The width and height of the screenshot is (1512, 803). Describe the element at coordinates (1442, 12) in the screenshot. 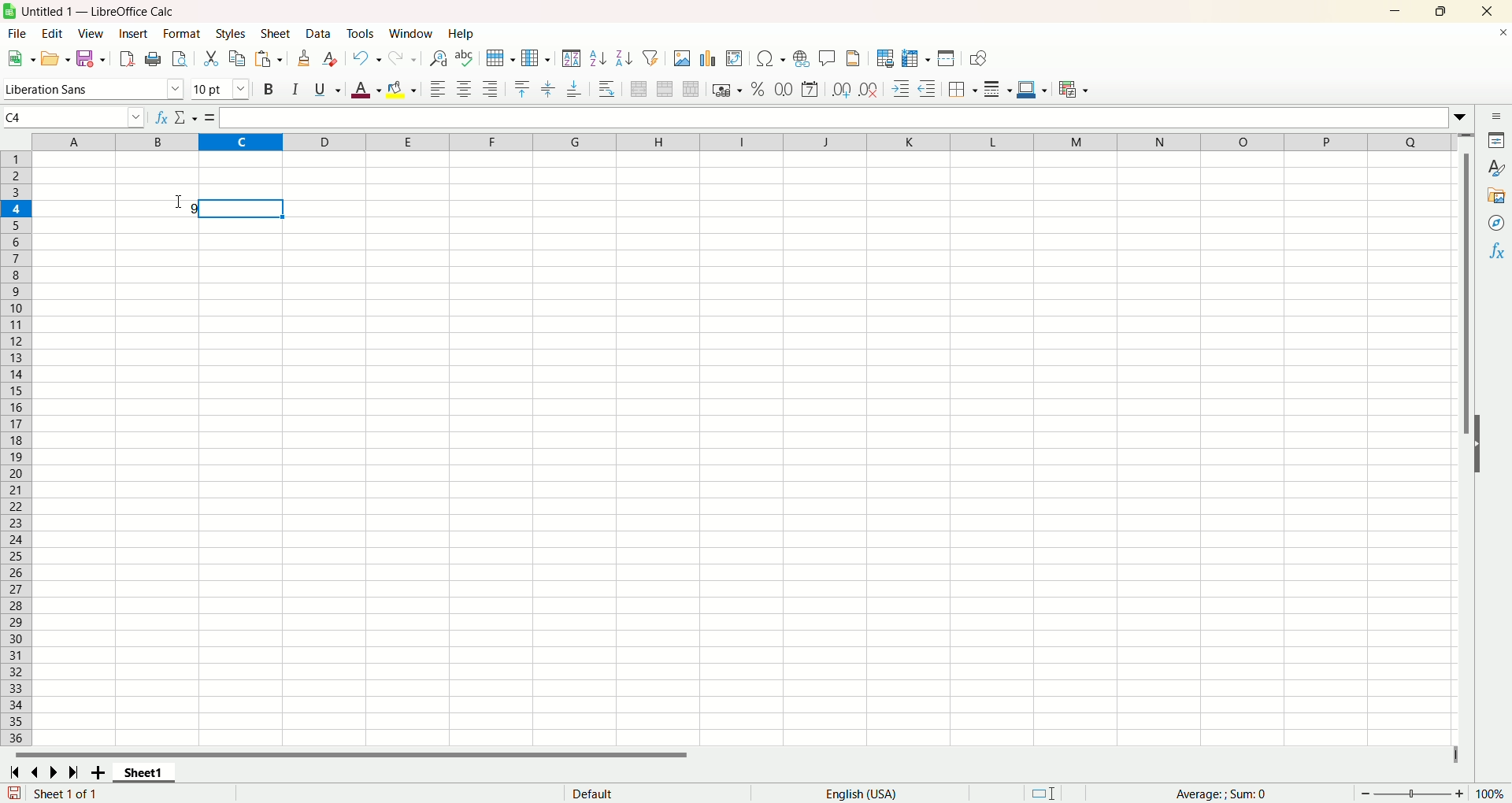

I see `maximize` at that location.